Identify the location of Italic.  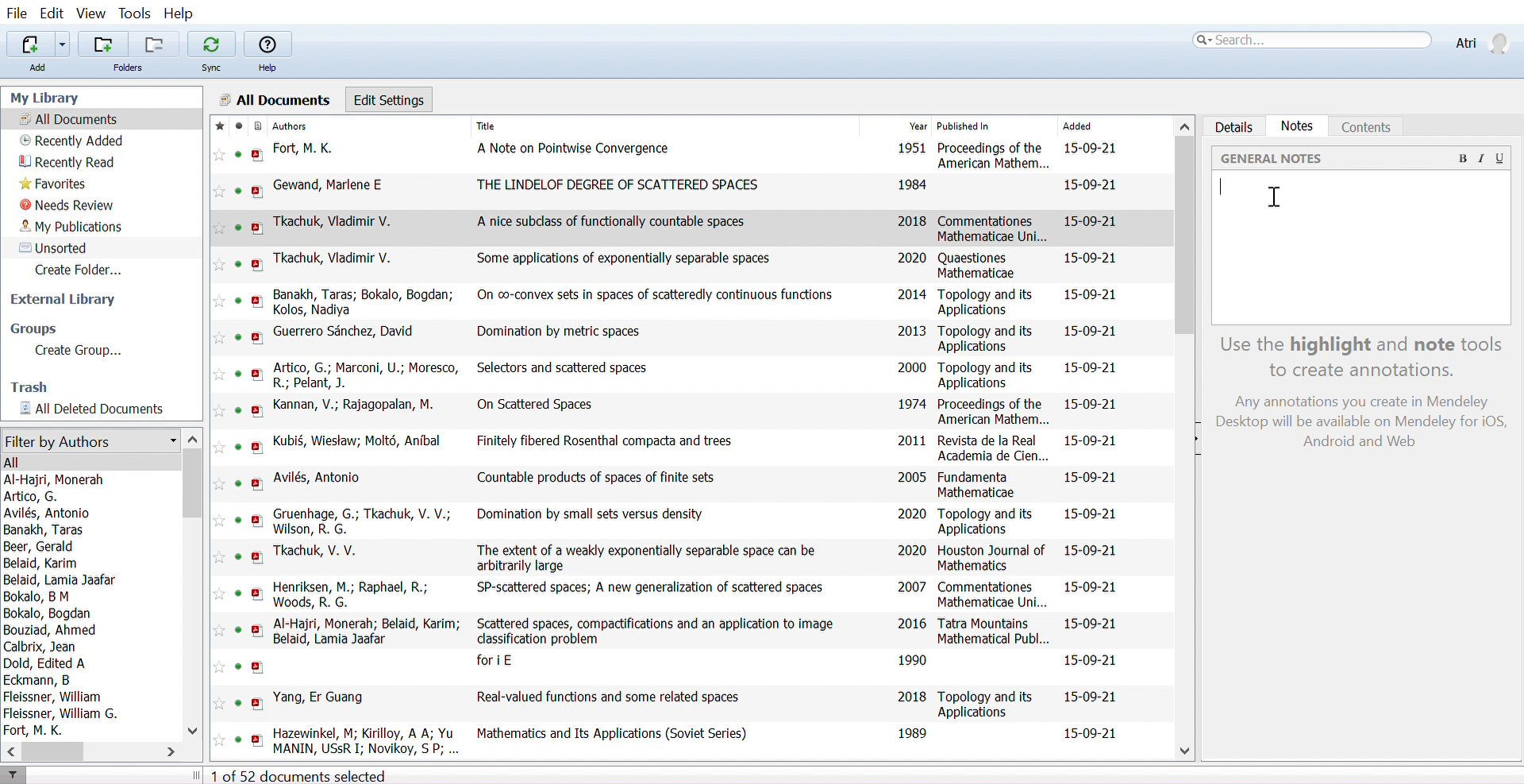
(1482, 160).